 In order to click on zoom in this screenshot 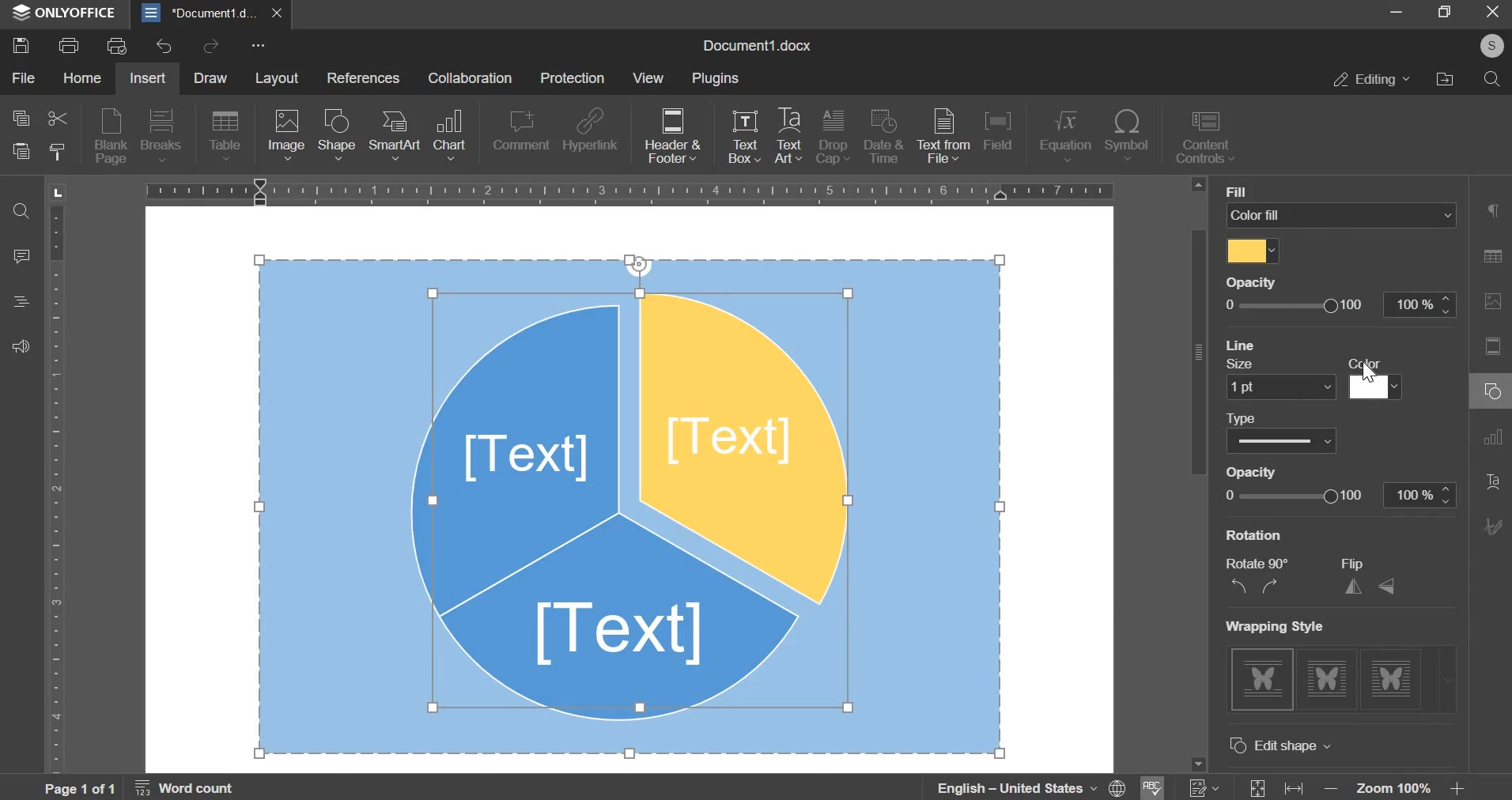, I will do `click(1399, 787)`.